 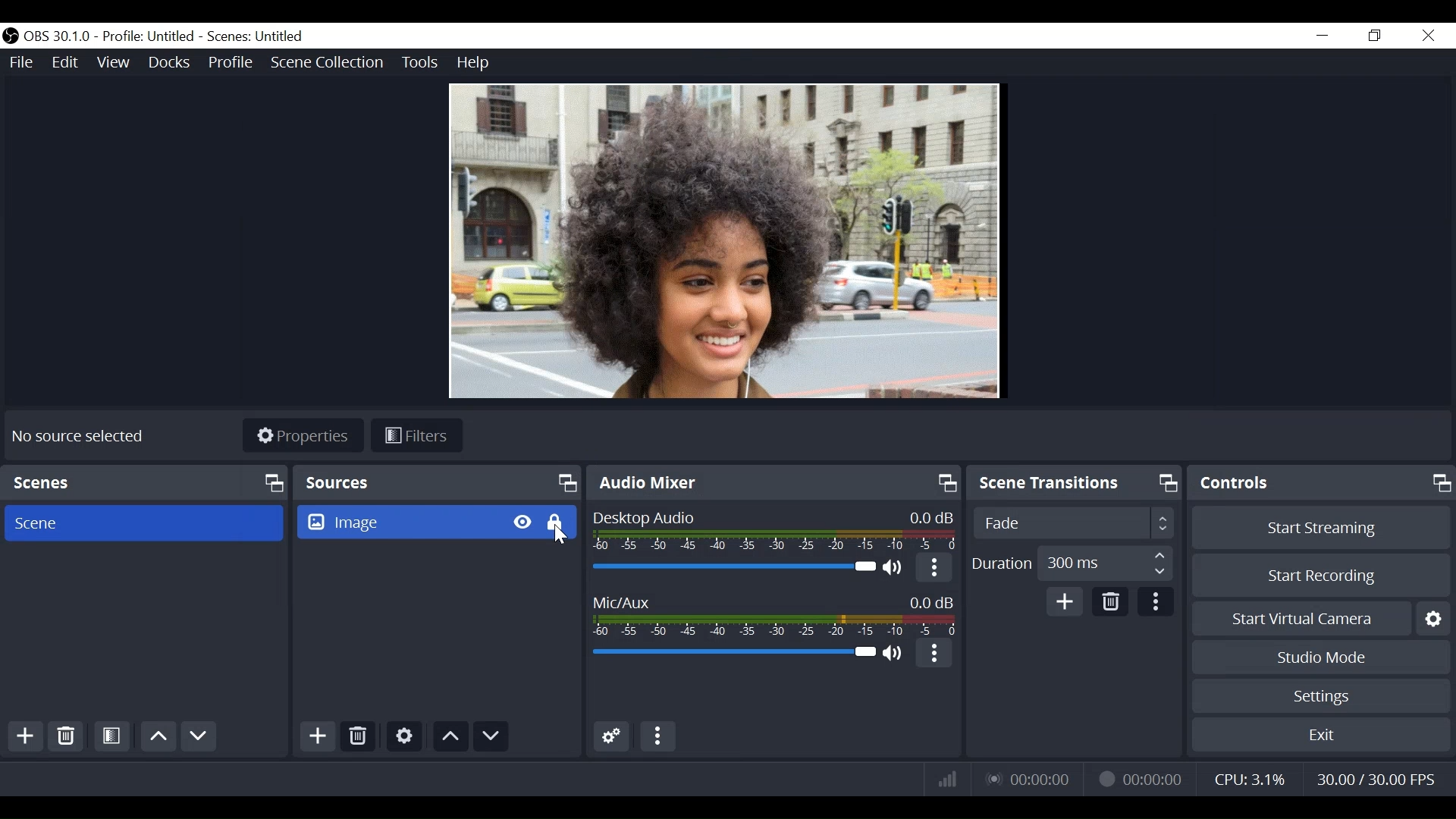 What do you see at coordinates (151, 36) in the screenshot?
I see `Profile: Untitled` at bounding box center [151, 36].